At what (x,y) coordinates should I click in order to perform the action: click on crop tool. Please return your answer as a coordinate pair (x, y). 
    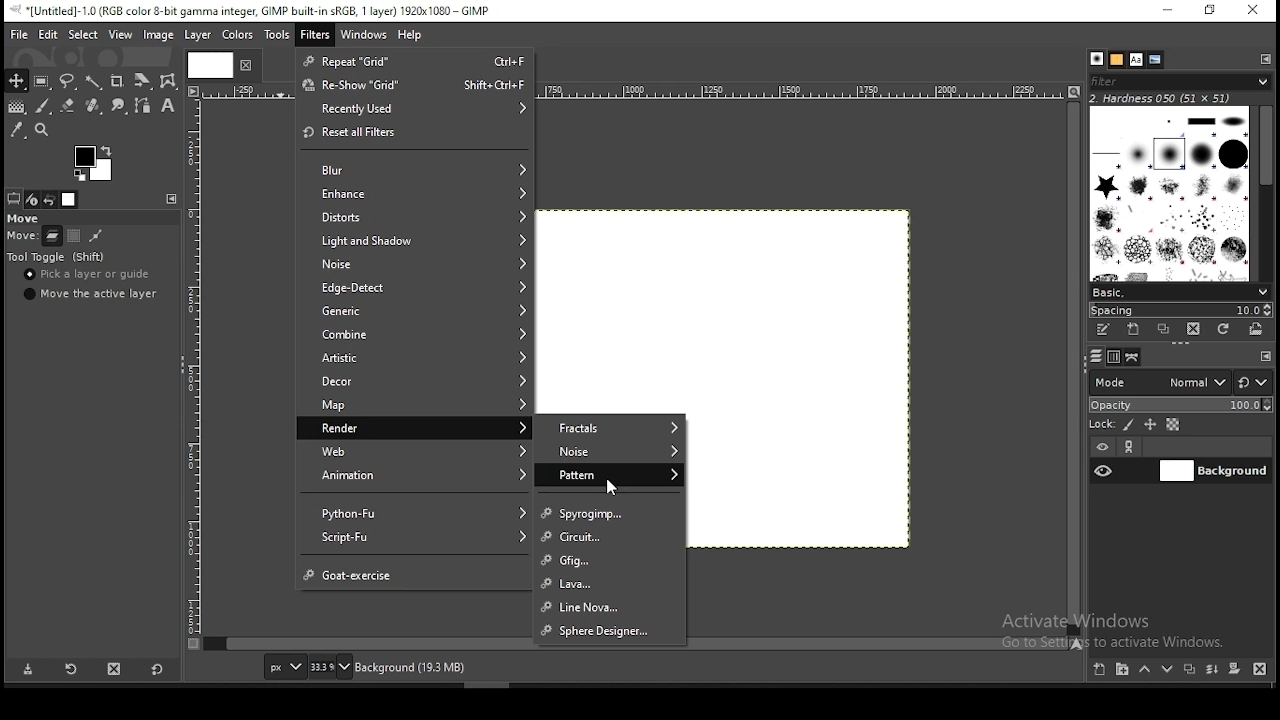
    Looking at the image, I should click on (140, 82).